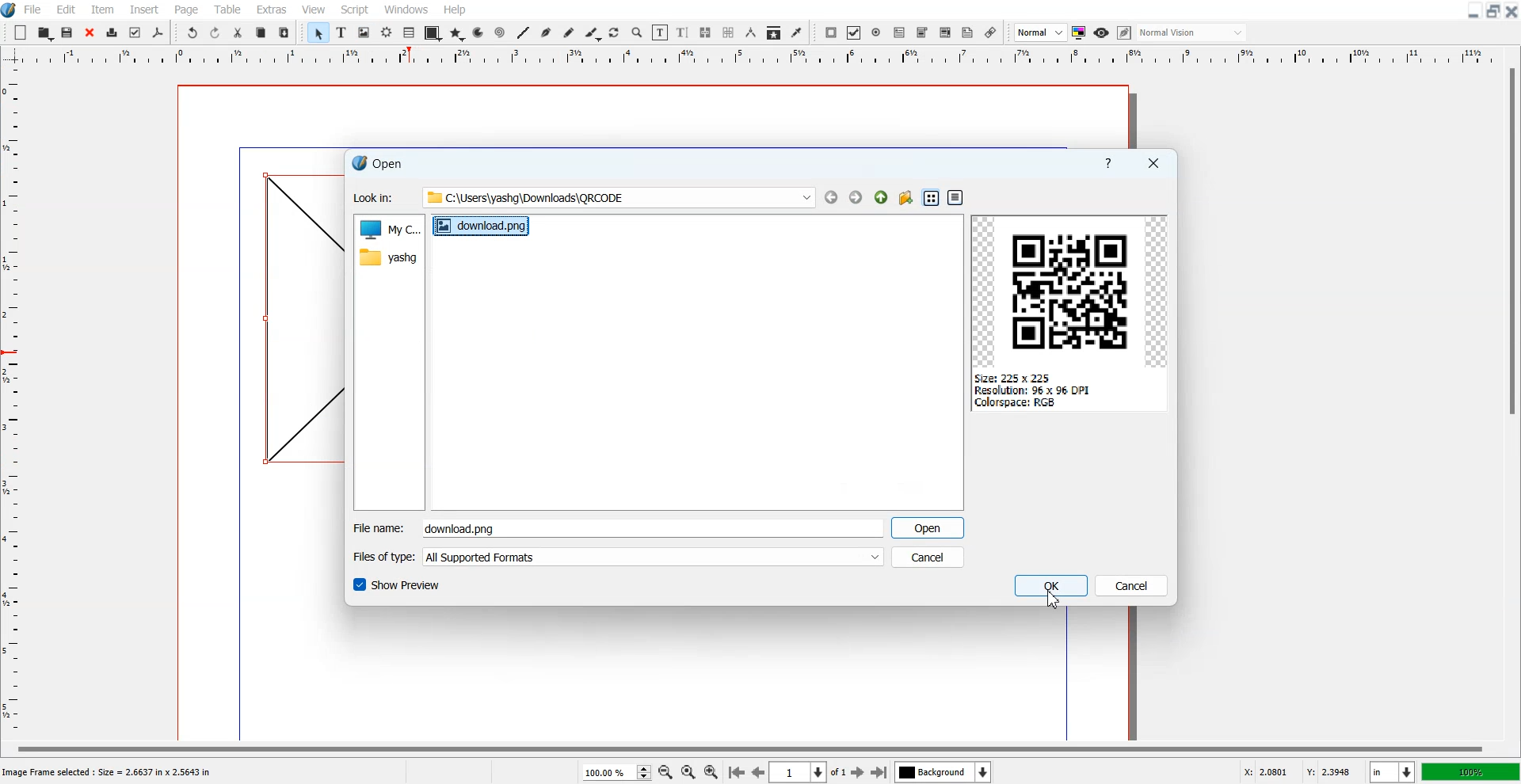  Describe the element at coordinates (991, 32) in the screenshot. I see `Link Annotation` at that location.